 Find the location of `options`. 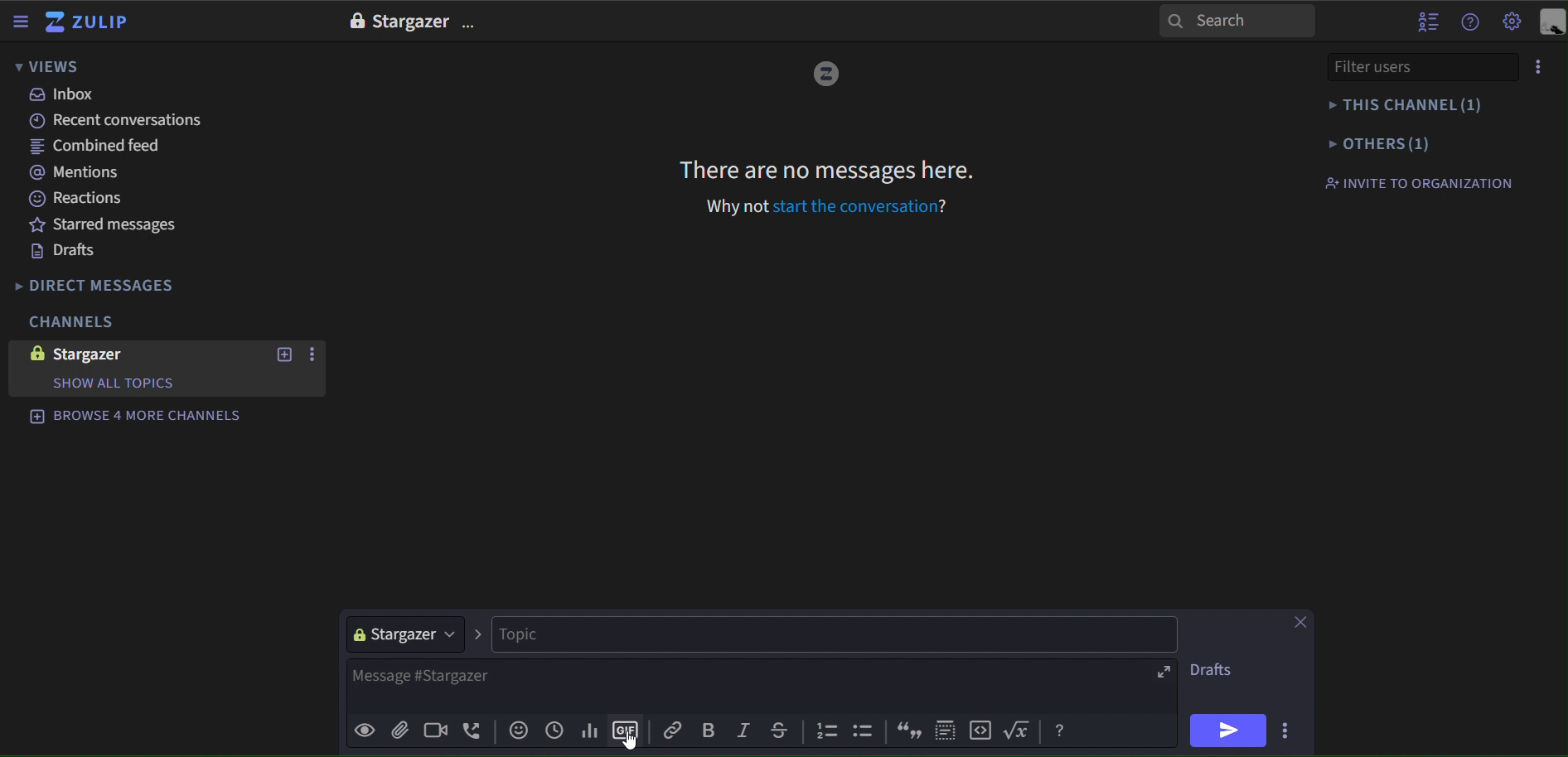

options is located at coordinates (315, 355).